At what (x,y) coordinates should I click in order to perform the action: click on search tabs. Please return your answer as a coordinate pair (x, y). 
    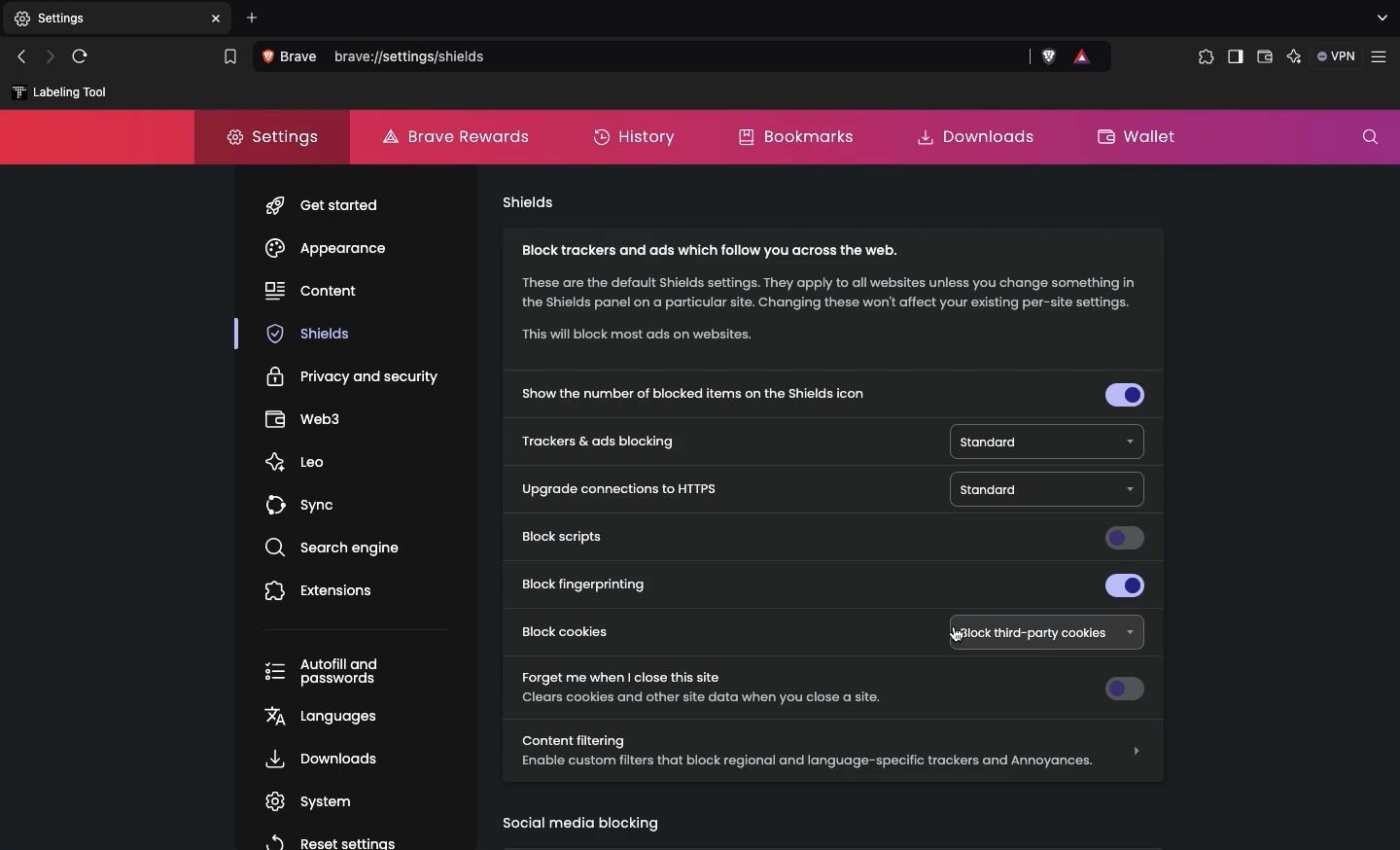
    Looking at the image, I should click on (1379, 19).